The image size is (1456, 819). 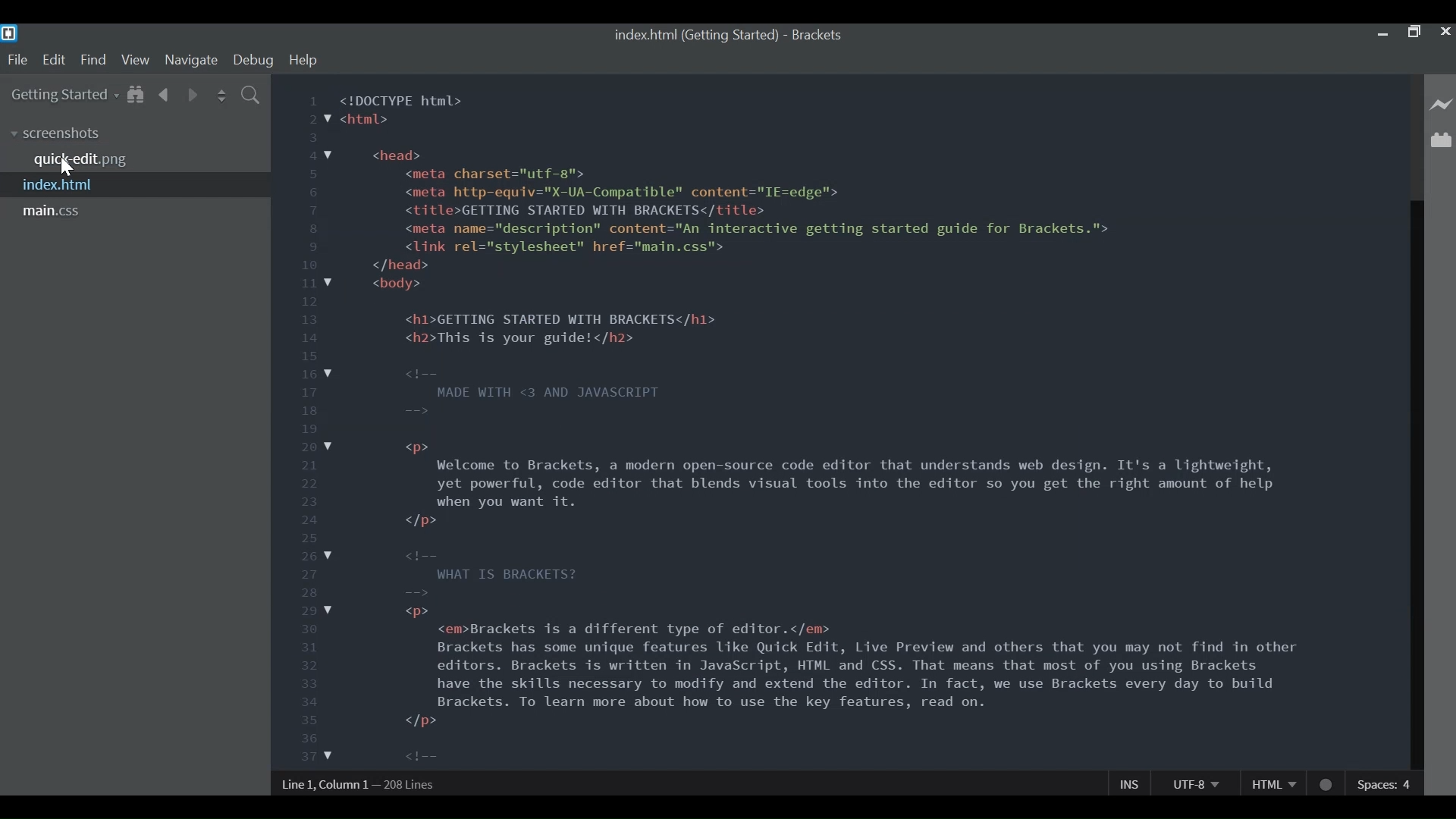 What do you see at coordinates (693, 34) in the screenshot?
I see `index.html` at bounding box center [693, 34].